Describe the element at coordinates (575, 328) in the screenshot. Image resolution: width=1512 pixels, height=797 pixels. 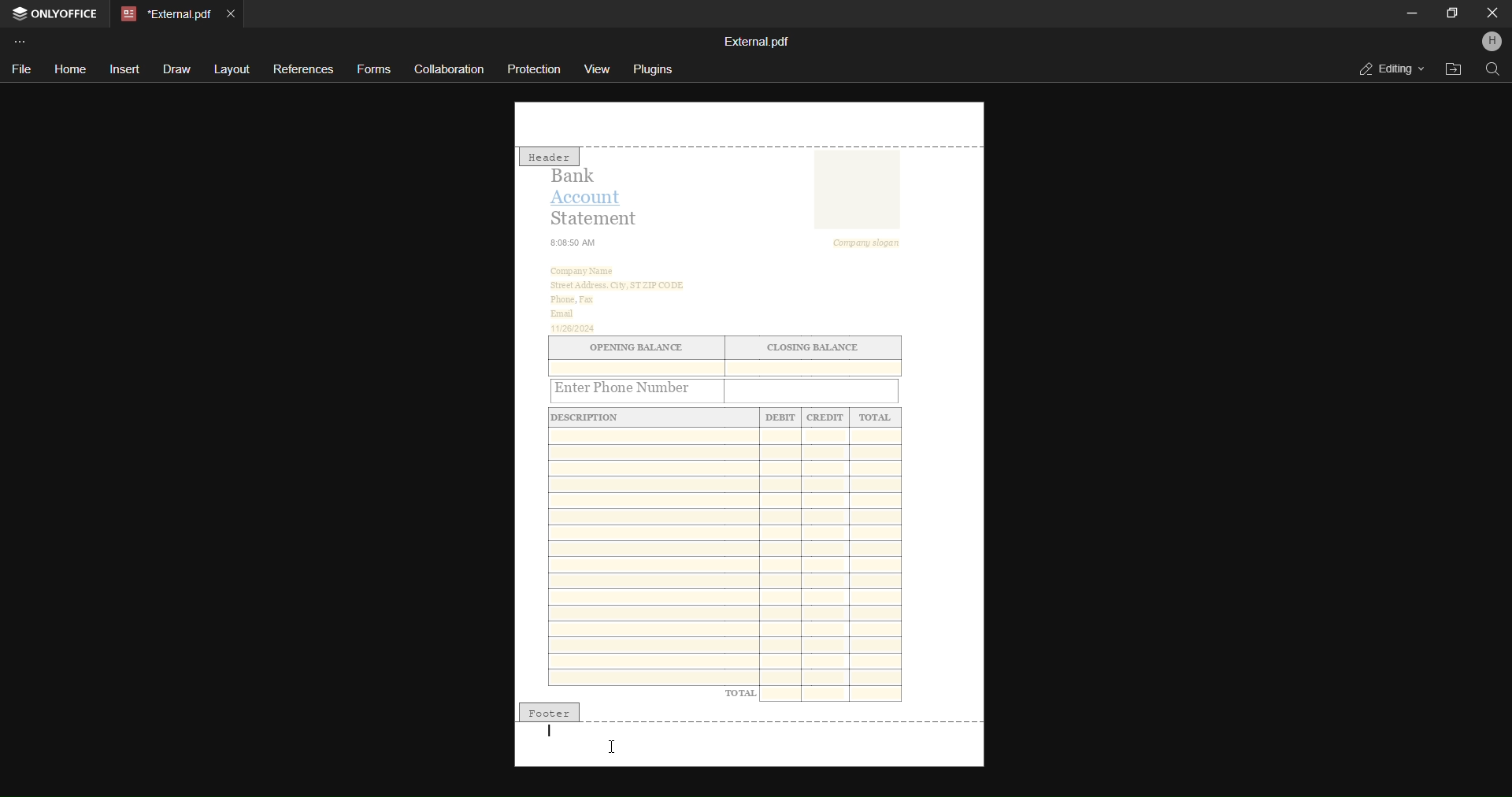
I see `11/26/2024` at that location.